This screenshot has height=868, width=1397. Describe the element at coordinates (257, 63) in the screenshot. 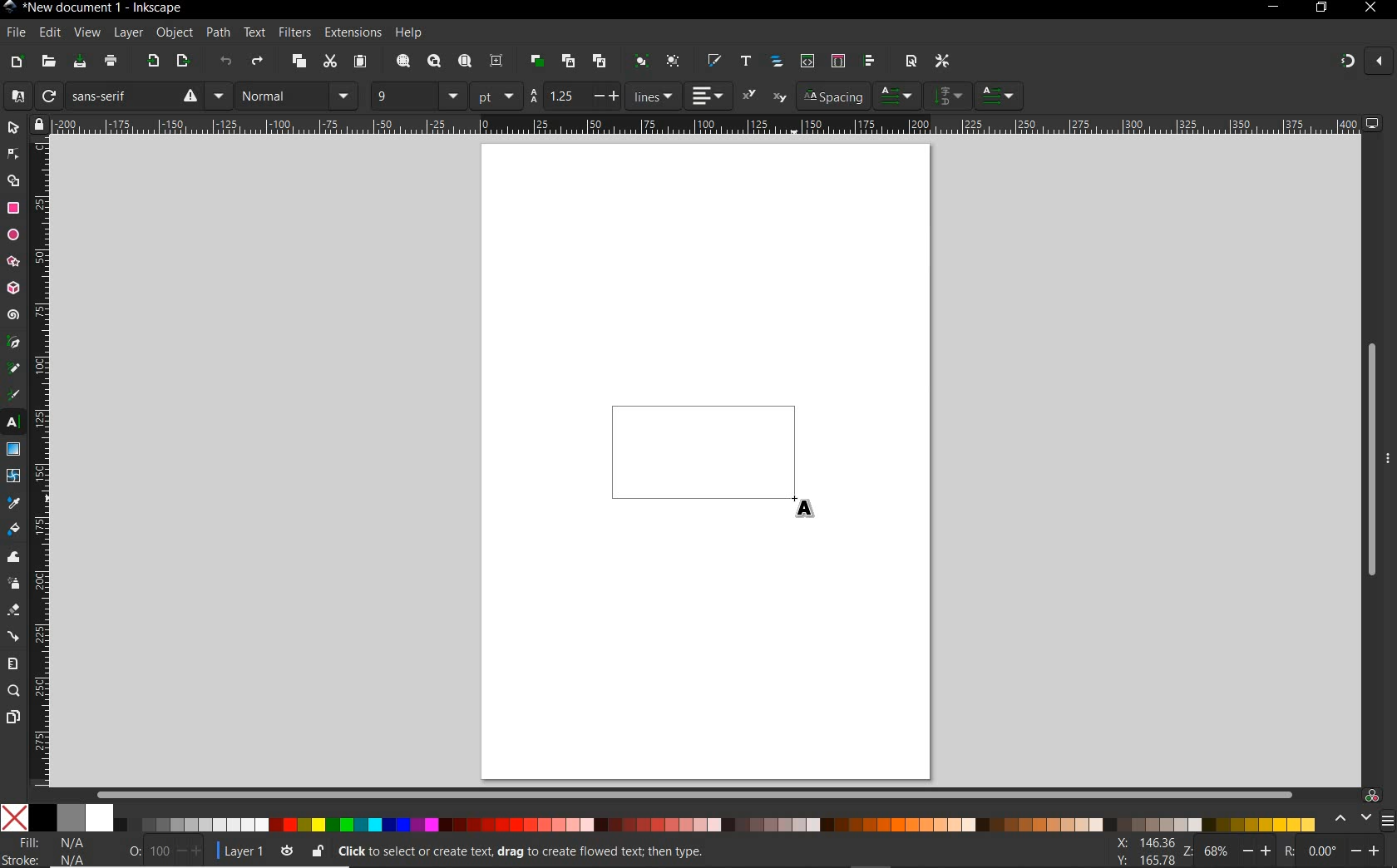

I see `redo` at that location.